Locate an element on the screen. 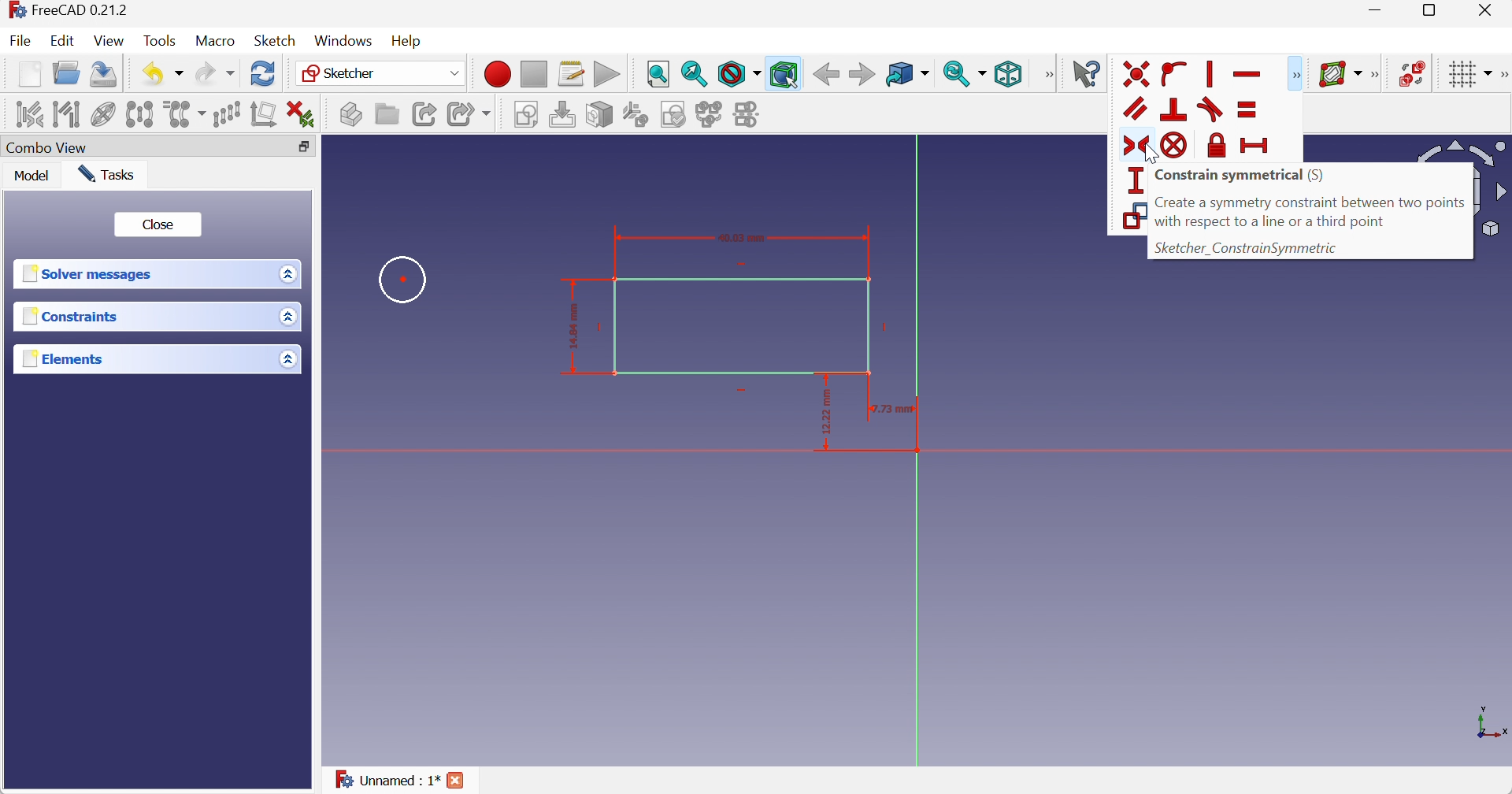  Mirror sketch is located at coordinates (750, 116).